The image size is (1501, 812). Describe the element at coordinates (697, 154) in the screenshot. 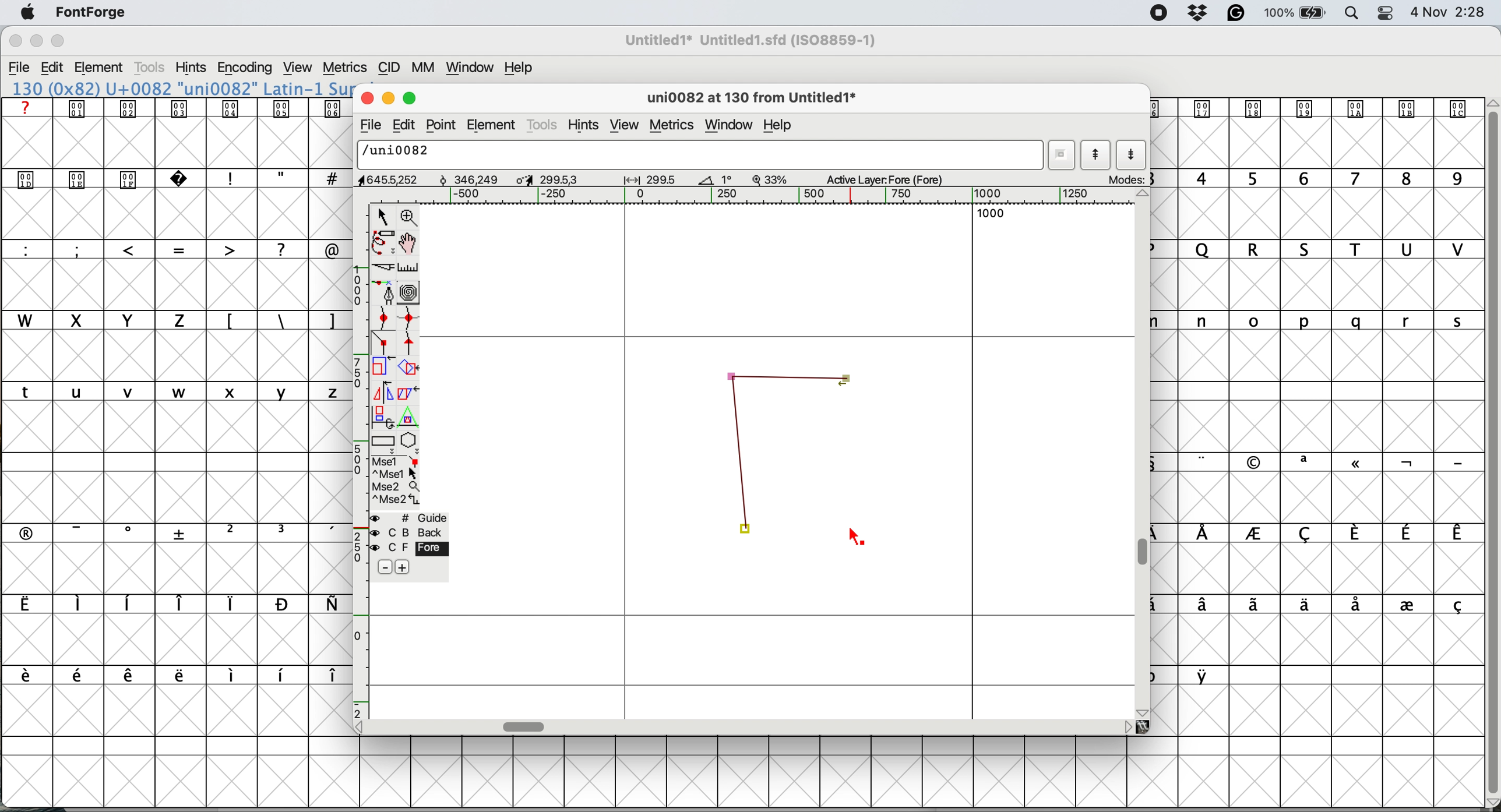

I see `glyph name` at that location.